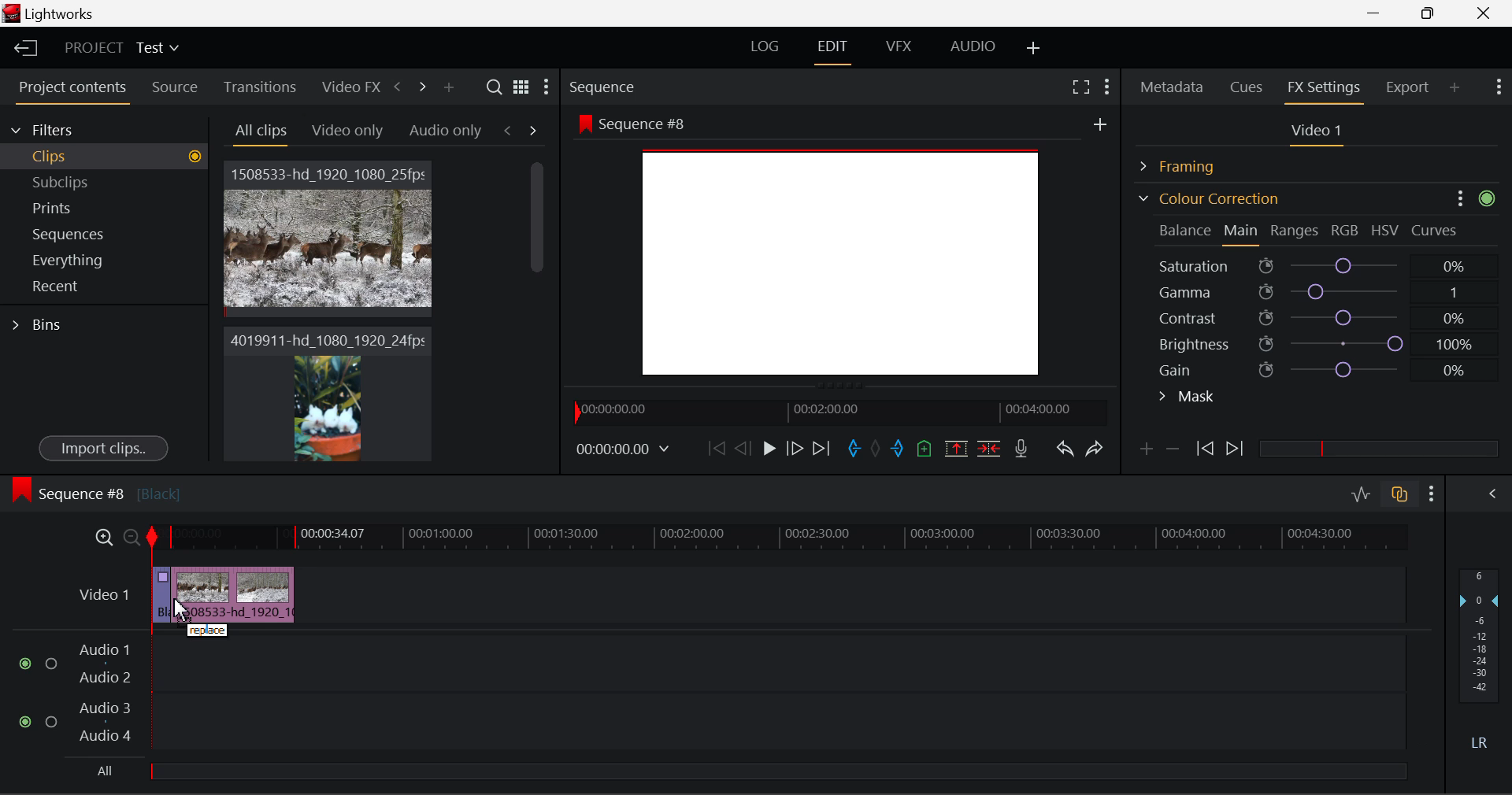  I want to click on Source, so click(175, 87).